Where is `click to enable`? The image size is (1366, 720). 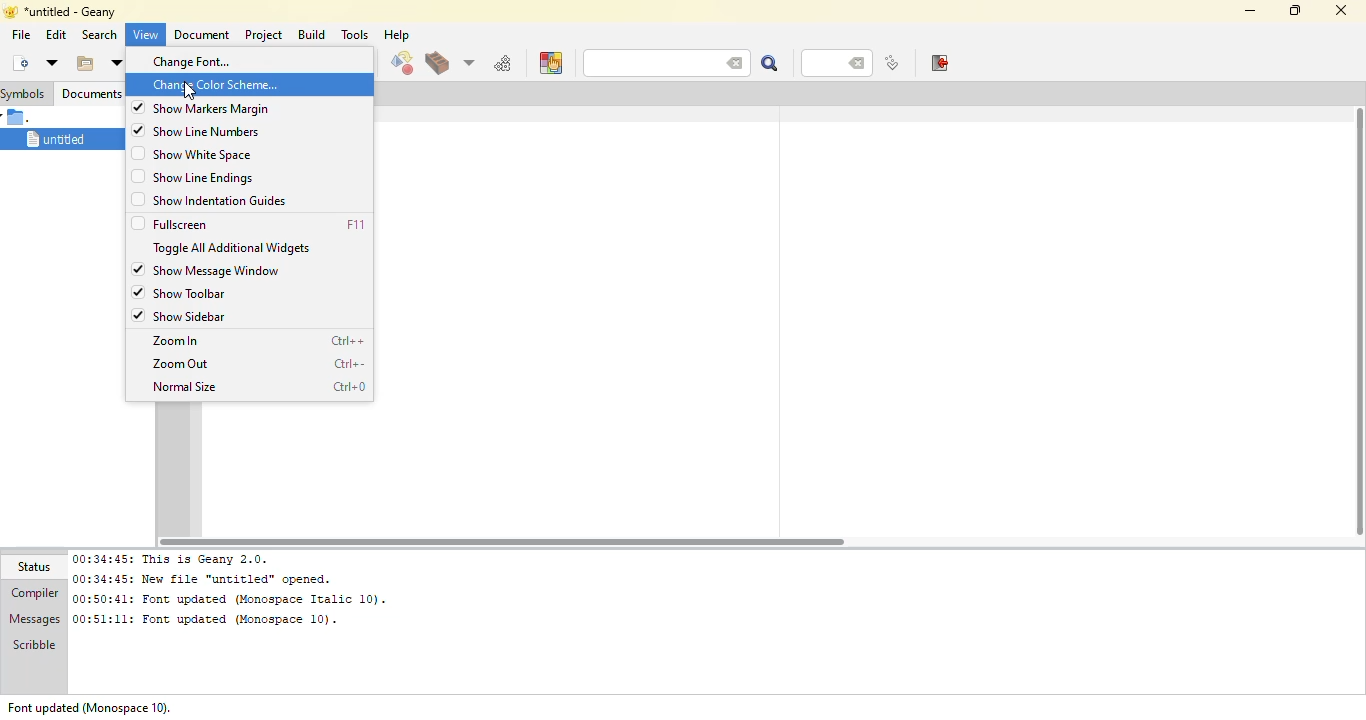
click to enable is located at coordinates (137, 200).